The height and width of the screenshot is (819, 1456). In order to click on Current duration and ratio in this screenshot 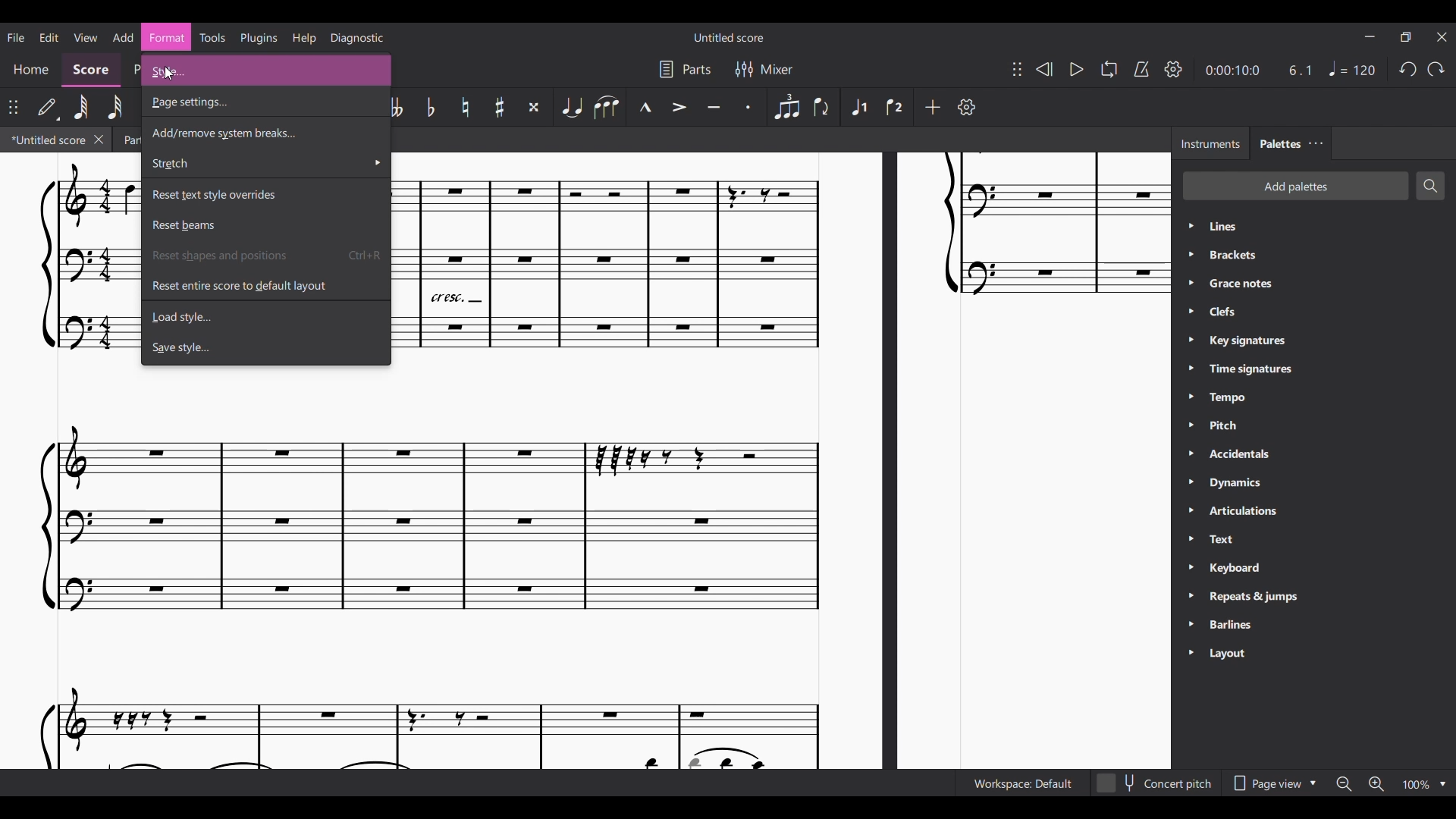, I will do `click(1257, 70)`.